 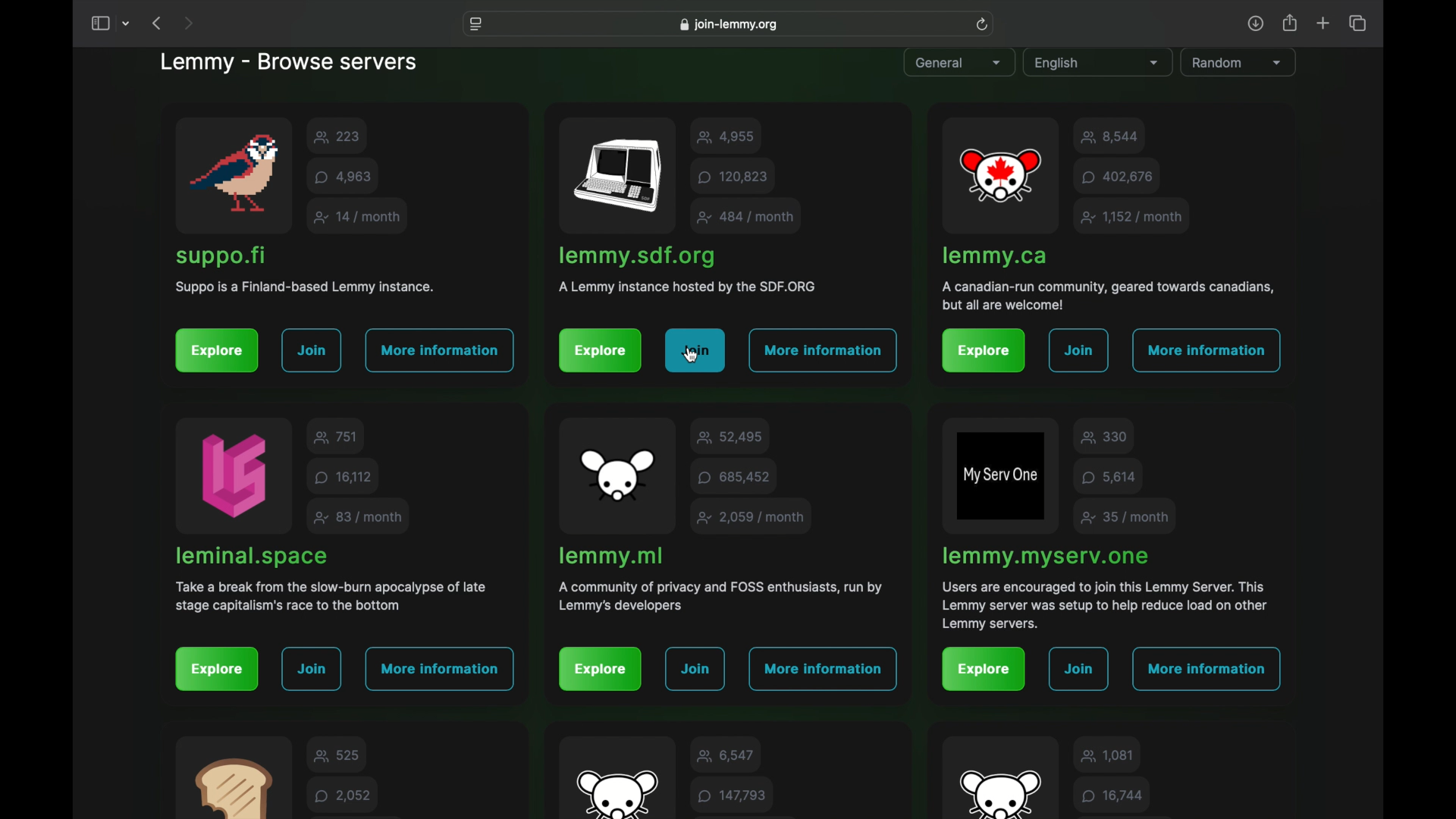 I want to click on show sidebar, so click(x=99, y=24).